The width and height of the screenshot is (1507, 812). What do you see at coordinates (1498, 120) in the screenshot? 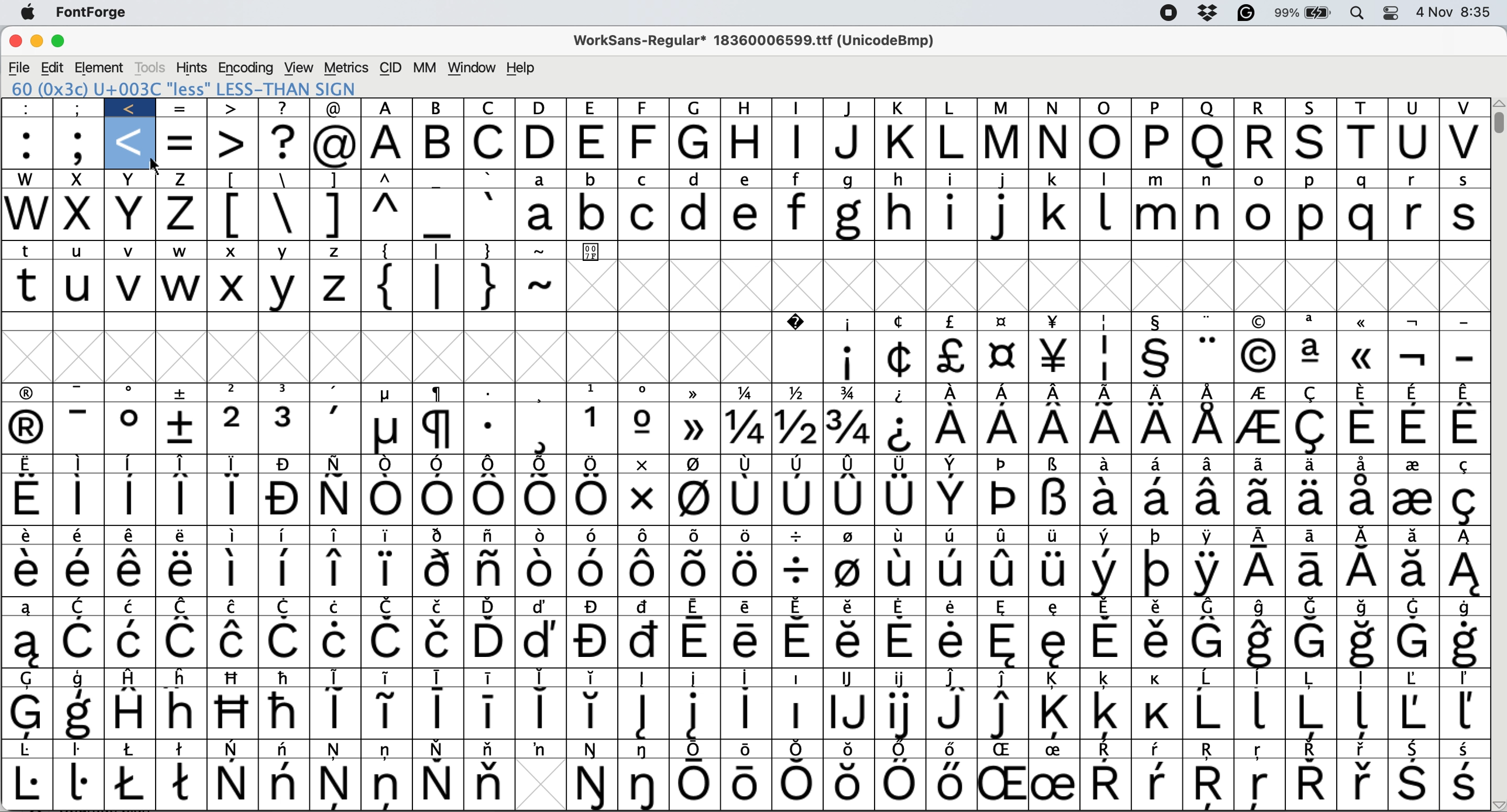
I see `vertical scroll bar` at bounding box center [1498, 120].